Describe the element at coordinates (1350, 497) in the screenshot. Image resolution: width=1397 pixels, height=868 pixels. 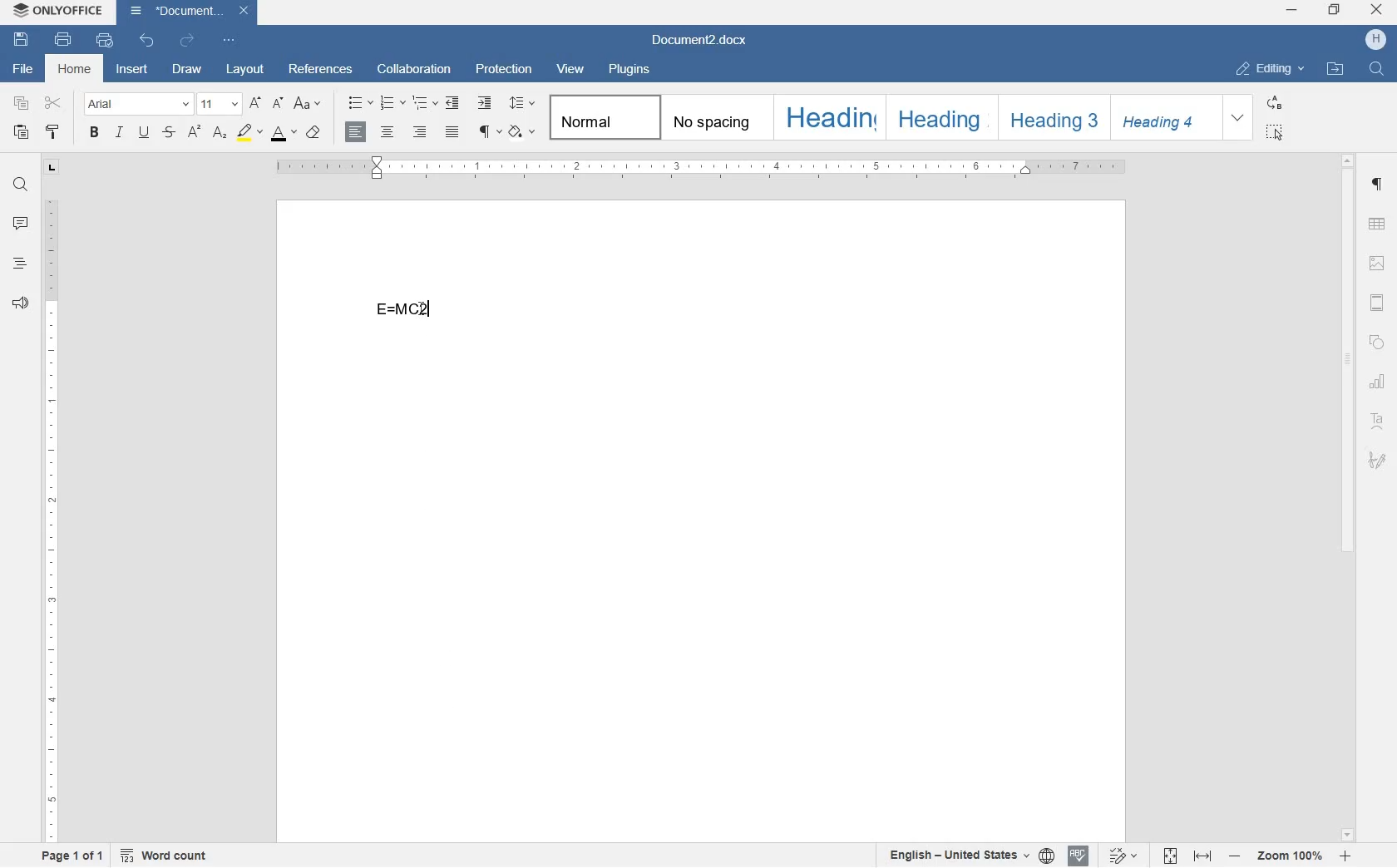
I see `scrollbar` at that location.